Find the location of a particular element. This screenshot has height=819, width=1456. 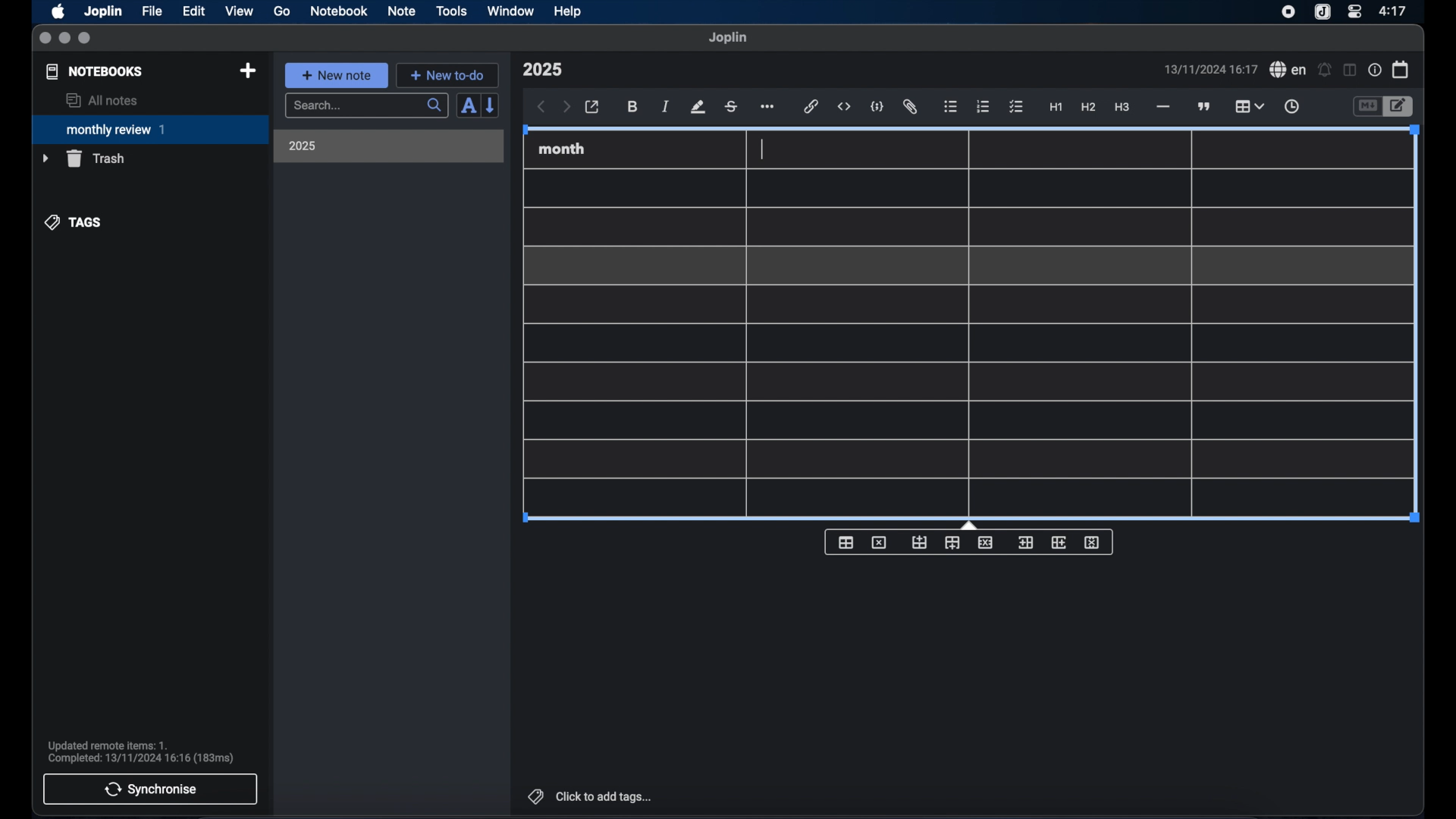

strikethrough is located at coordinates (730, 107).